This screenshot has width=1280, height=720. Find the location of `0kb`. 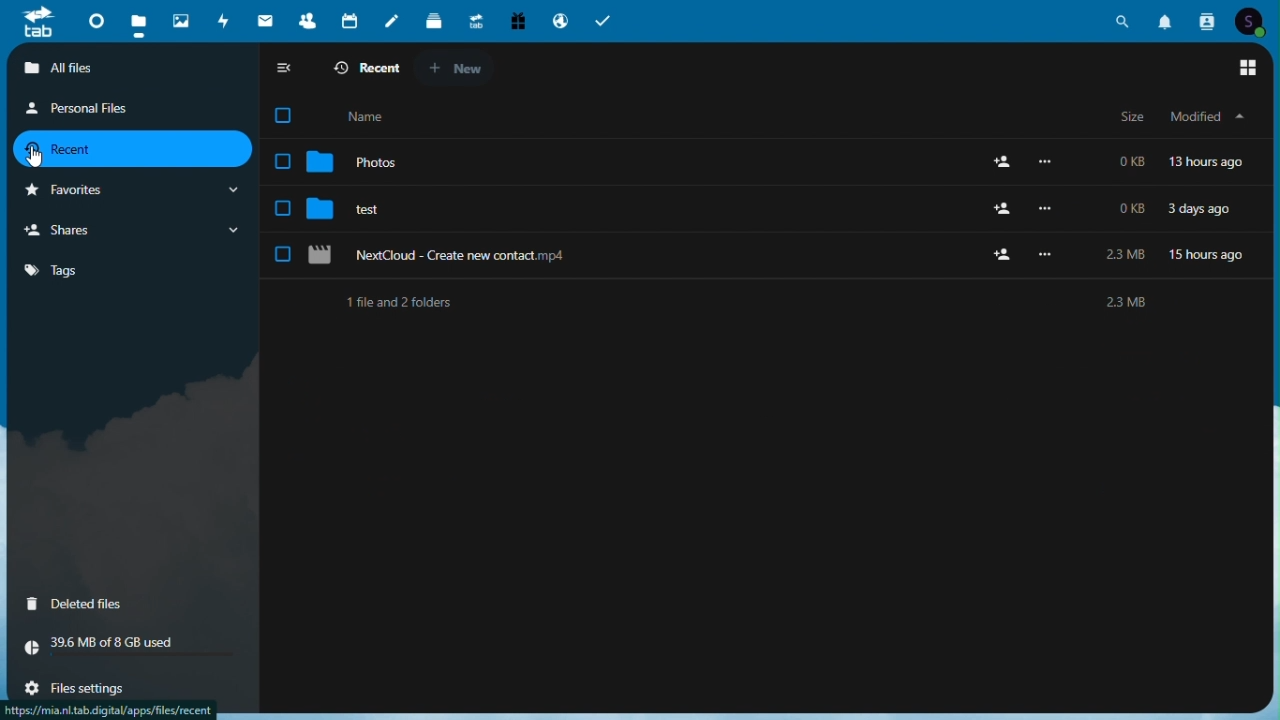

0kb is located at coordinates (1133, 208).